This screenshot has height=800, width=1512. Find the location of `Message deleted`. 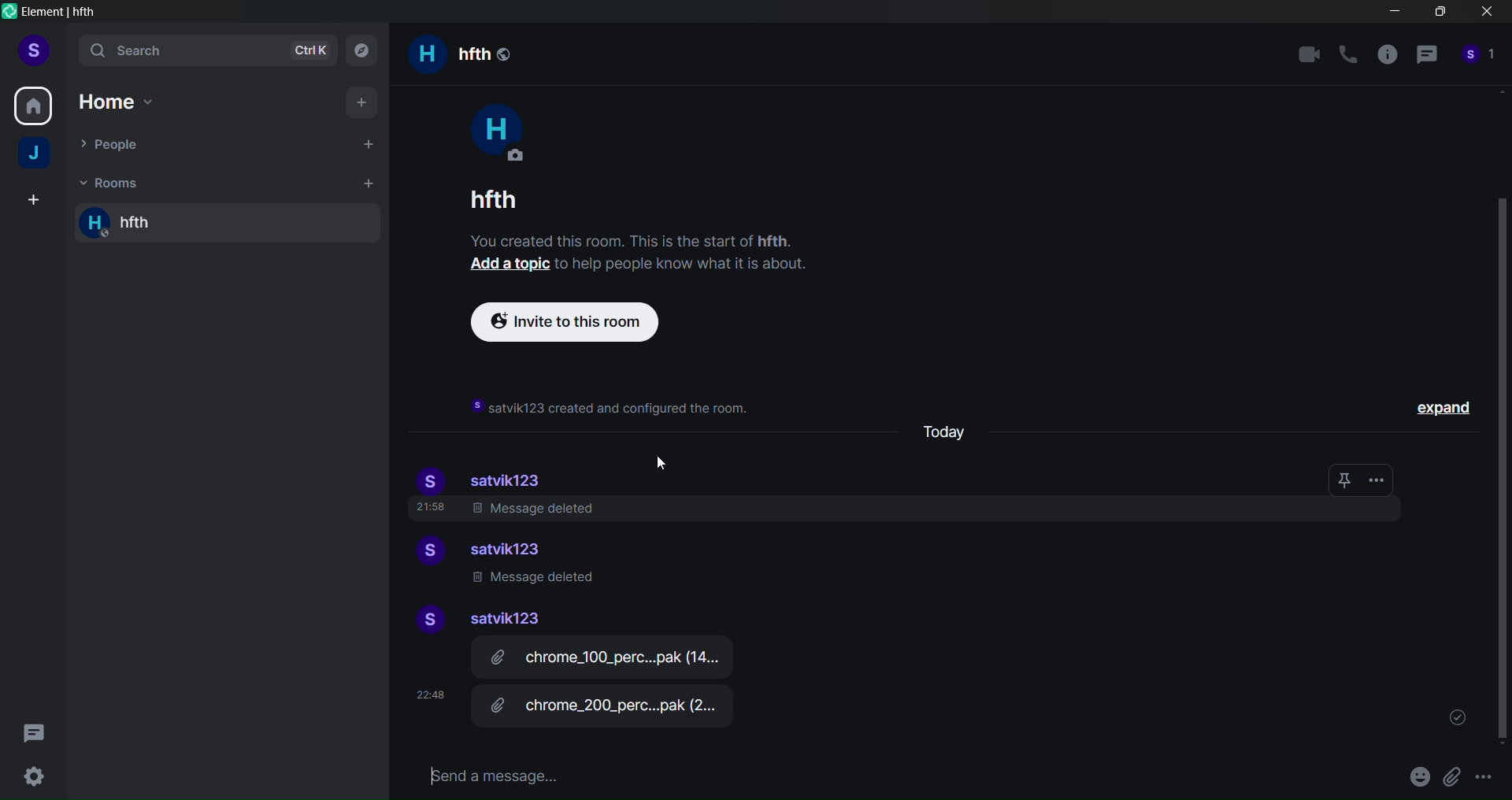

Message deleted is located at coordinates (539, 577).